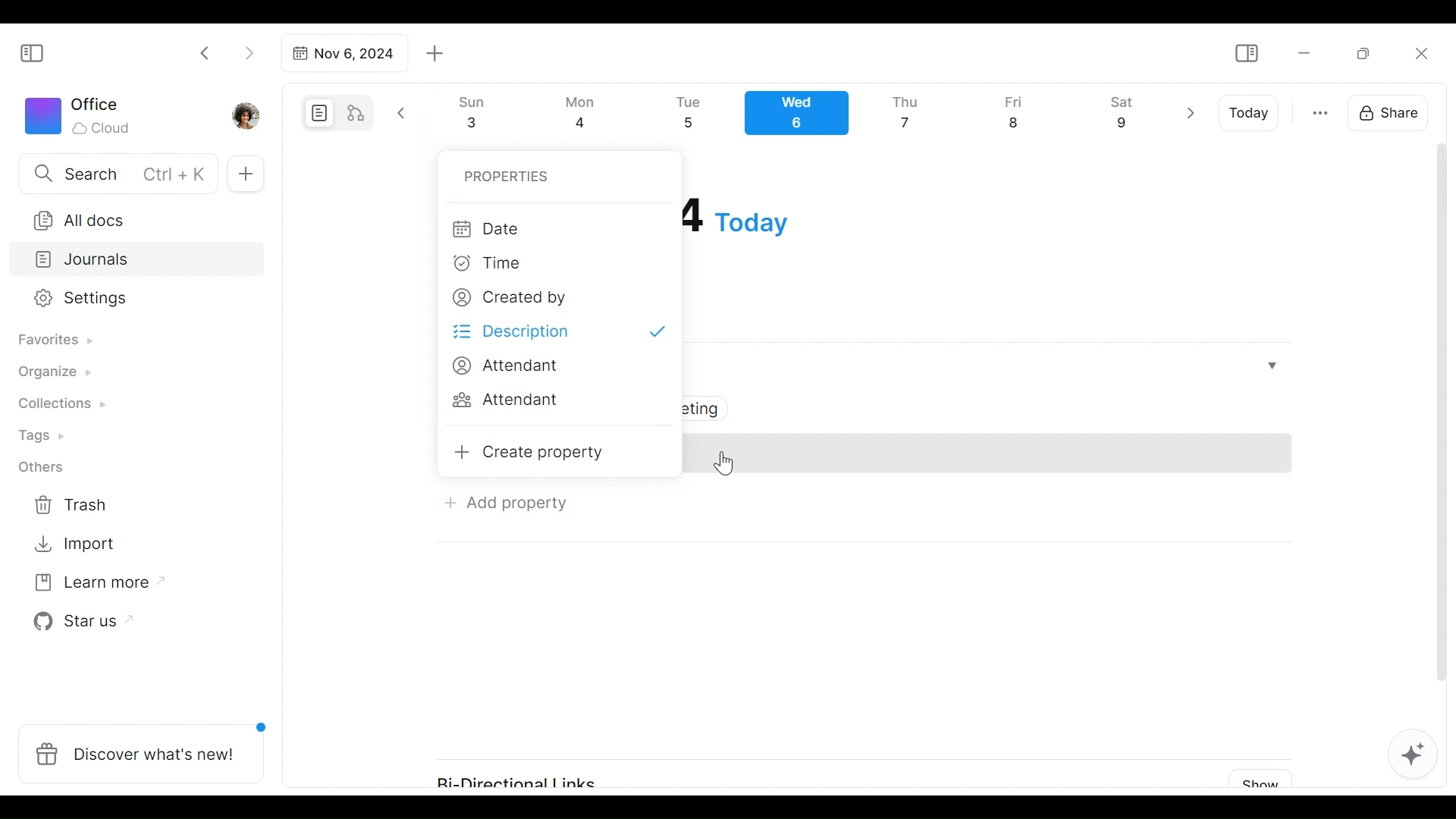 The image size is (1456, 819). I want to click on Restore, so click(1369, 52).